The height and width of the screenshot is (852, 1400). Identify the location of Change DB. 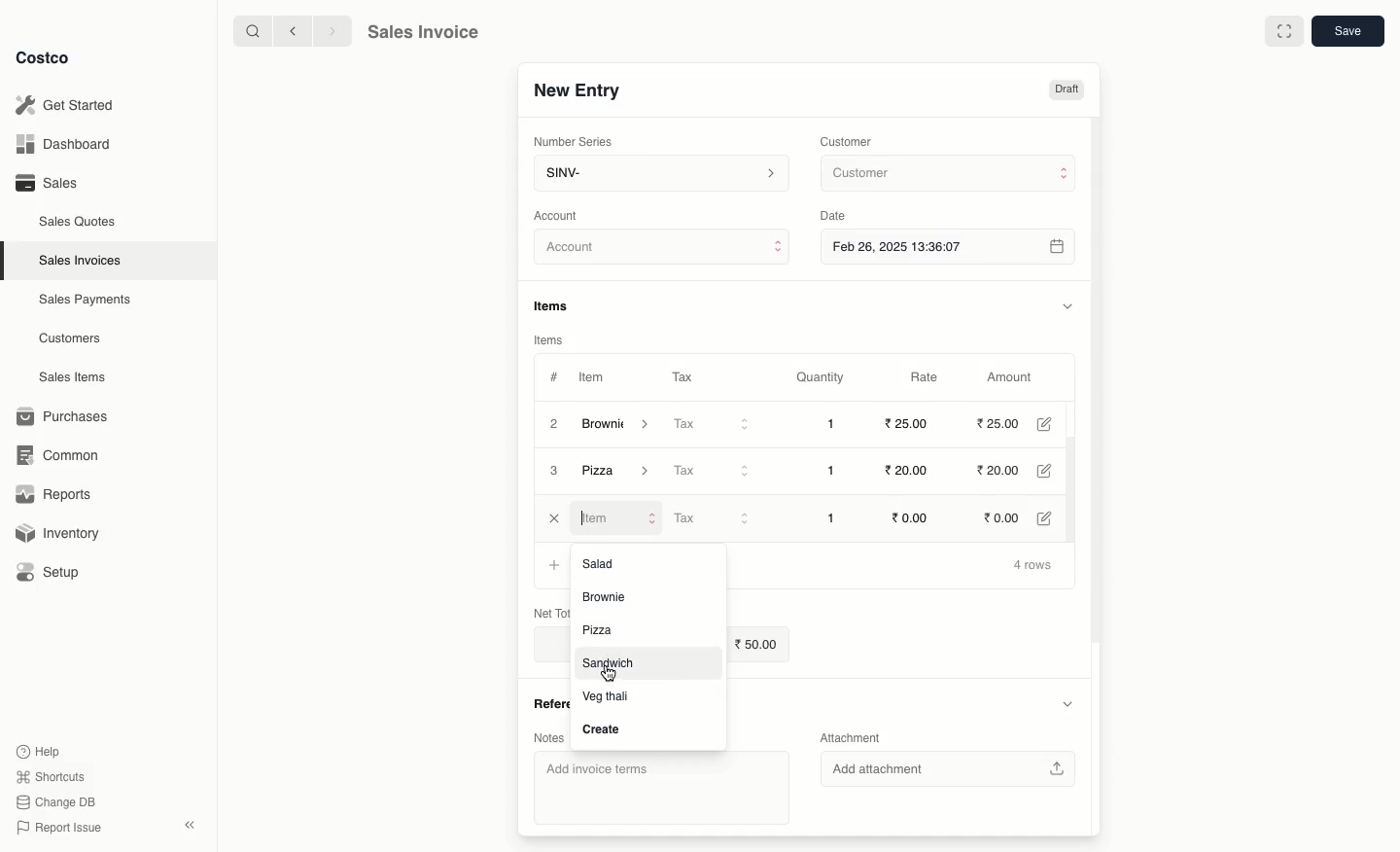
(52, 800).